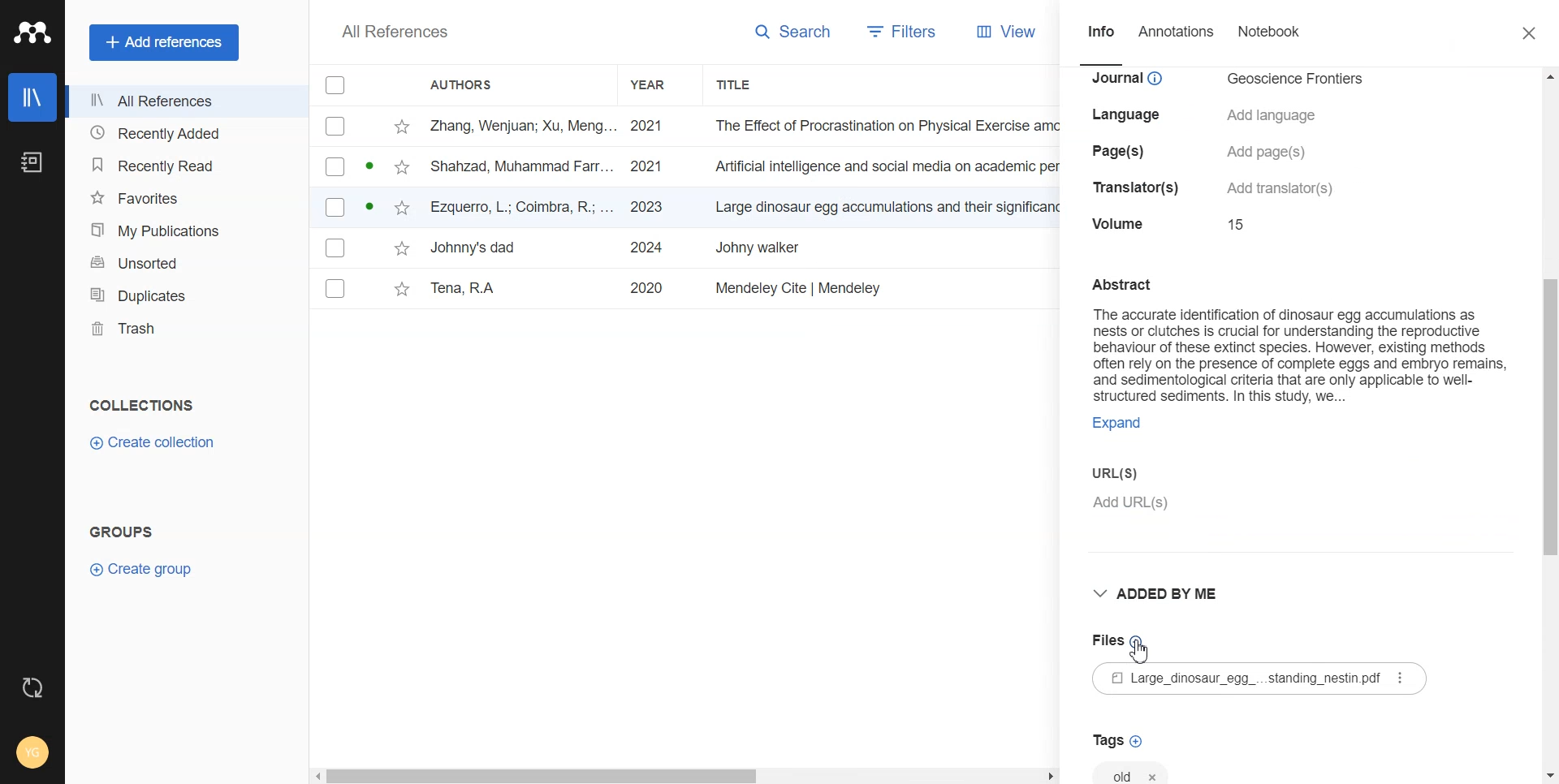 Image resolution: width=1559 pixels, height=784 pixels. I want to click on star, so click(403, 167).